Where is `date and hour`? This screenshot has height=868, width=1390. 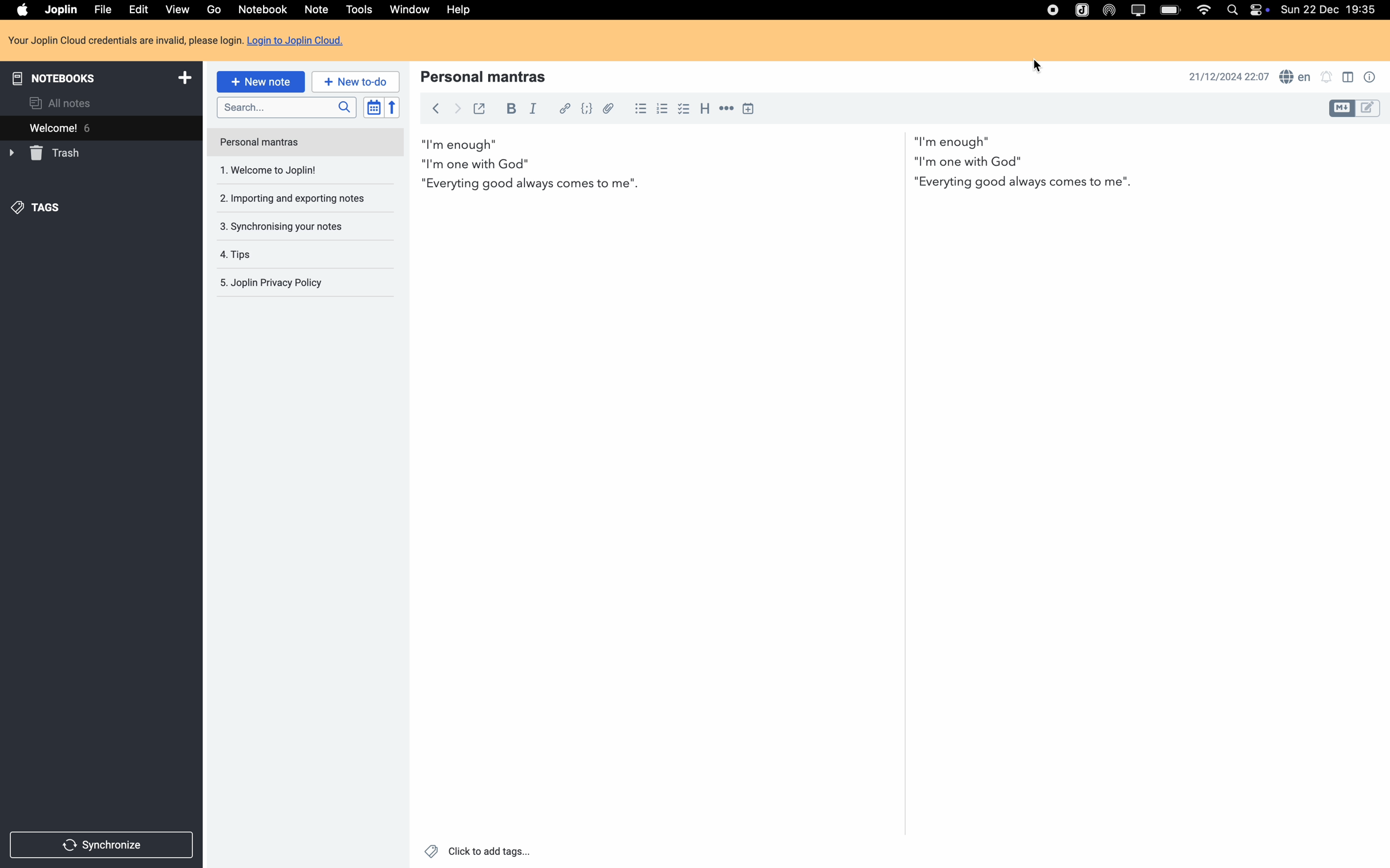
date and hour is located at coordinates (1333, 9).